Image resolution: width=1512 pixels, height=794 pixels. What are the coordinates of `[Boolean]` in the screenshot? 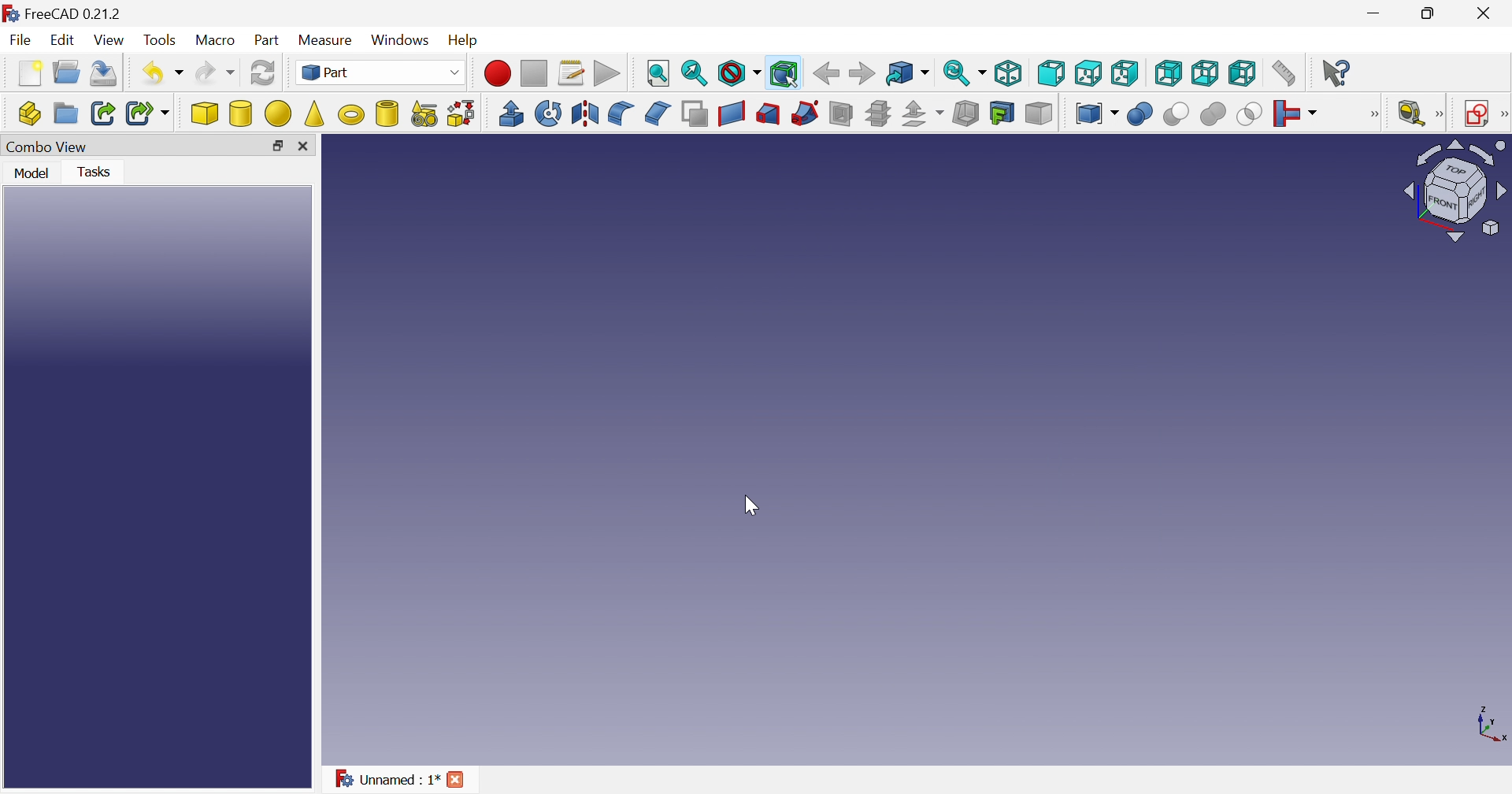 It's located at (1371, 114).